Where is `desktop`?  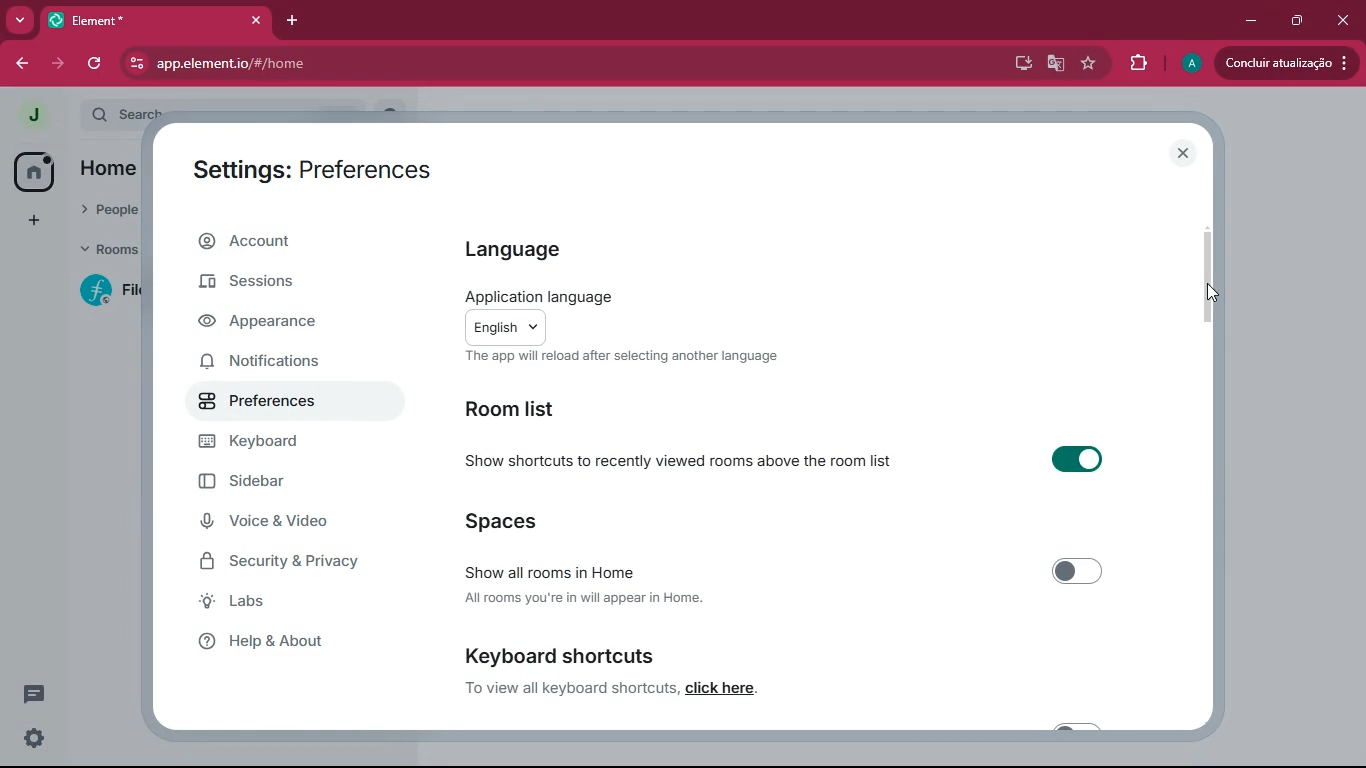 desktop is located at coordinates (1019, 63).